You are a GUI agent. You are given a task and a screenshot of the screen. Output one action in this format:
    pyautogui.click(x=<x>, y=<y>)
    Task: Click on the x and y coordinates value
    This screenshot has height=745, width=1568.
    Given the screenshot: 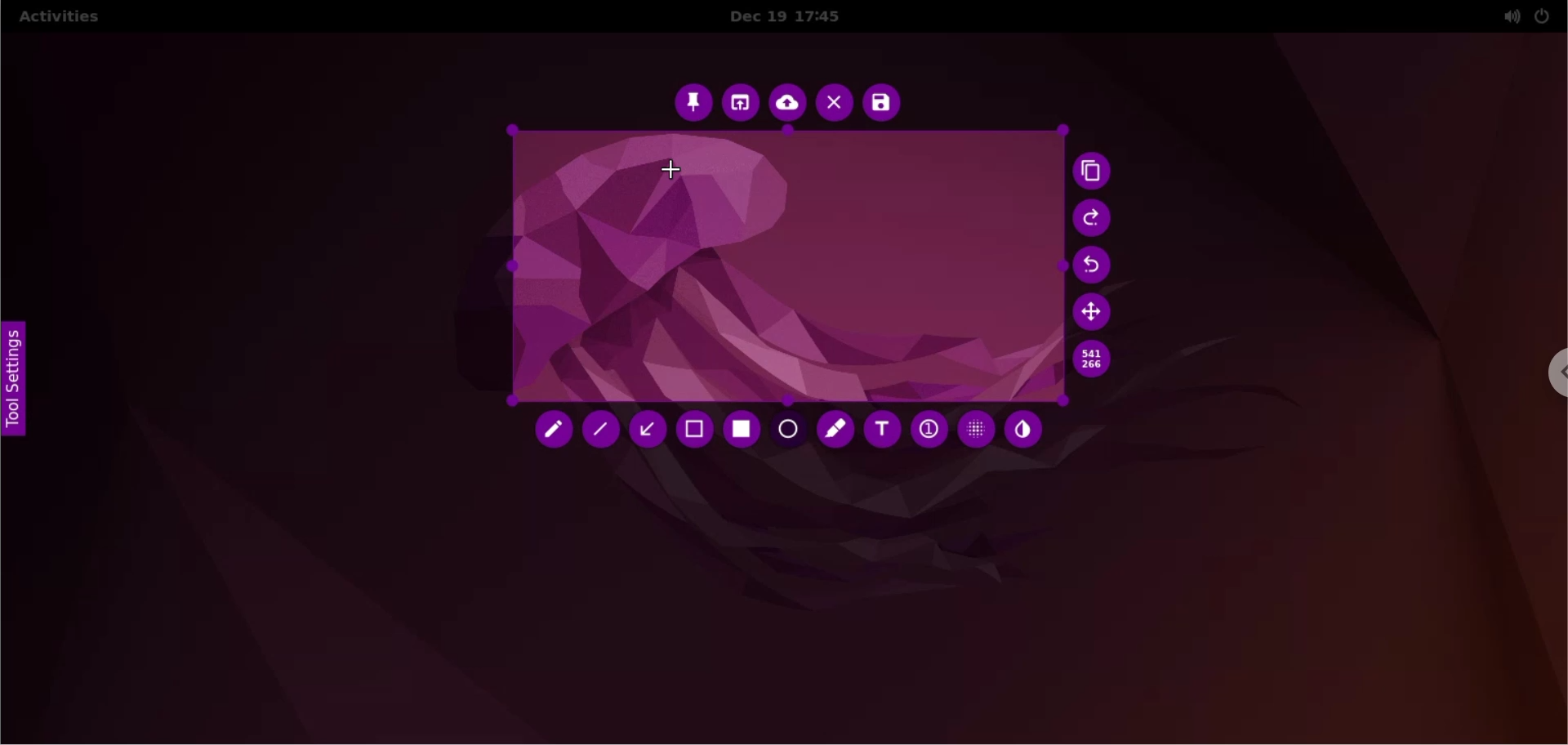 What is the action you would take?
    pyautogui.click(x=1092, y=359)
    